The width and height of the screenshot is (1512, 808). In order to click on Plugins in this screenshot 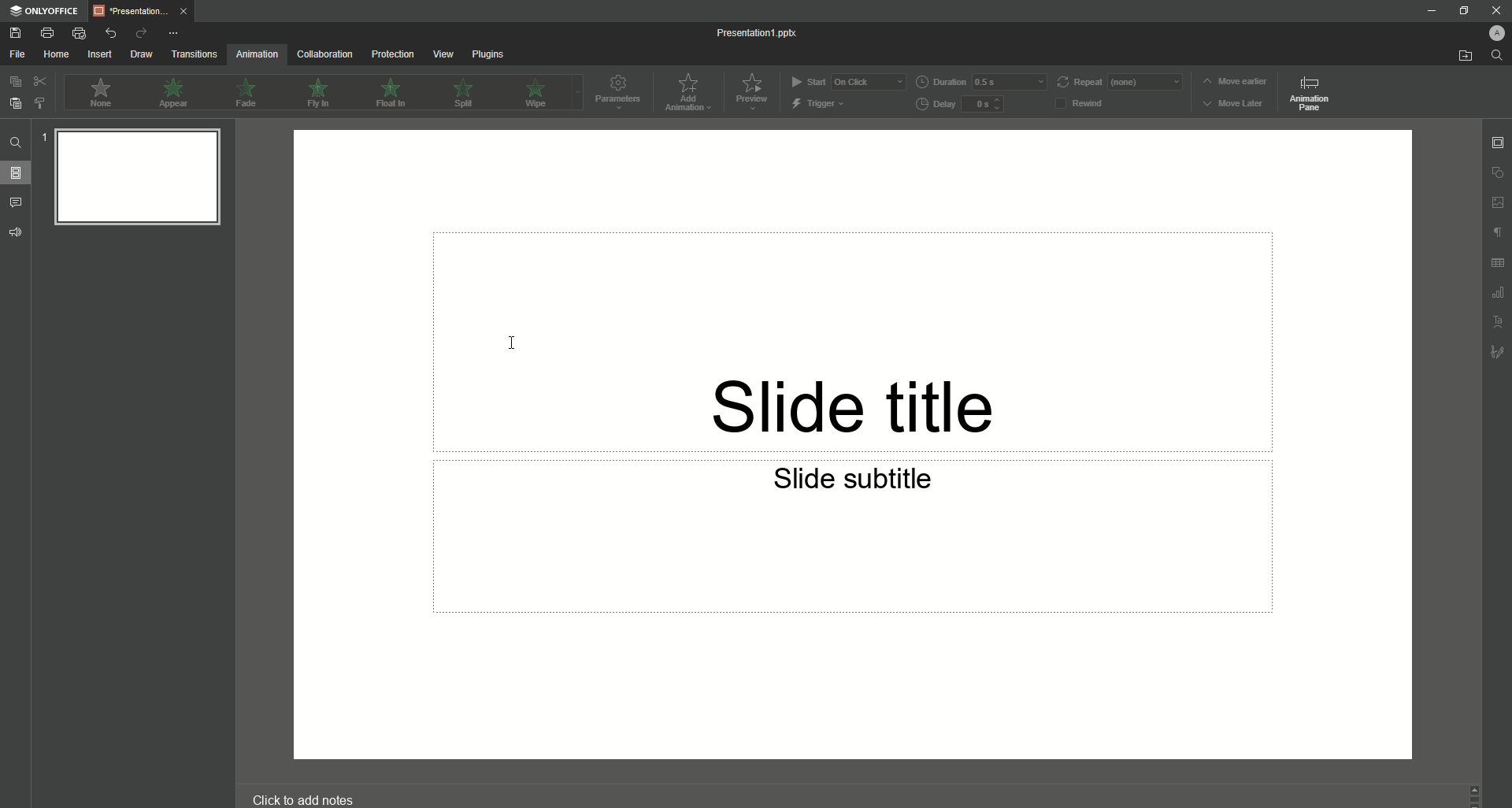, I will do `click(488, 54)`.